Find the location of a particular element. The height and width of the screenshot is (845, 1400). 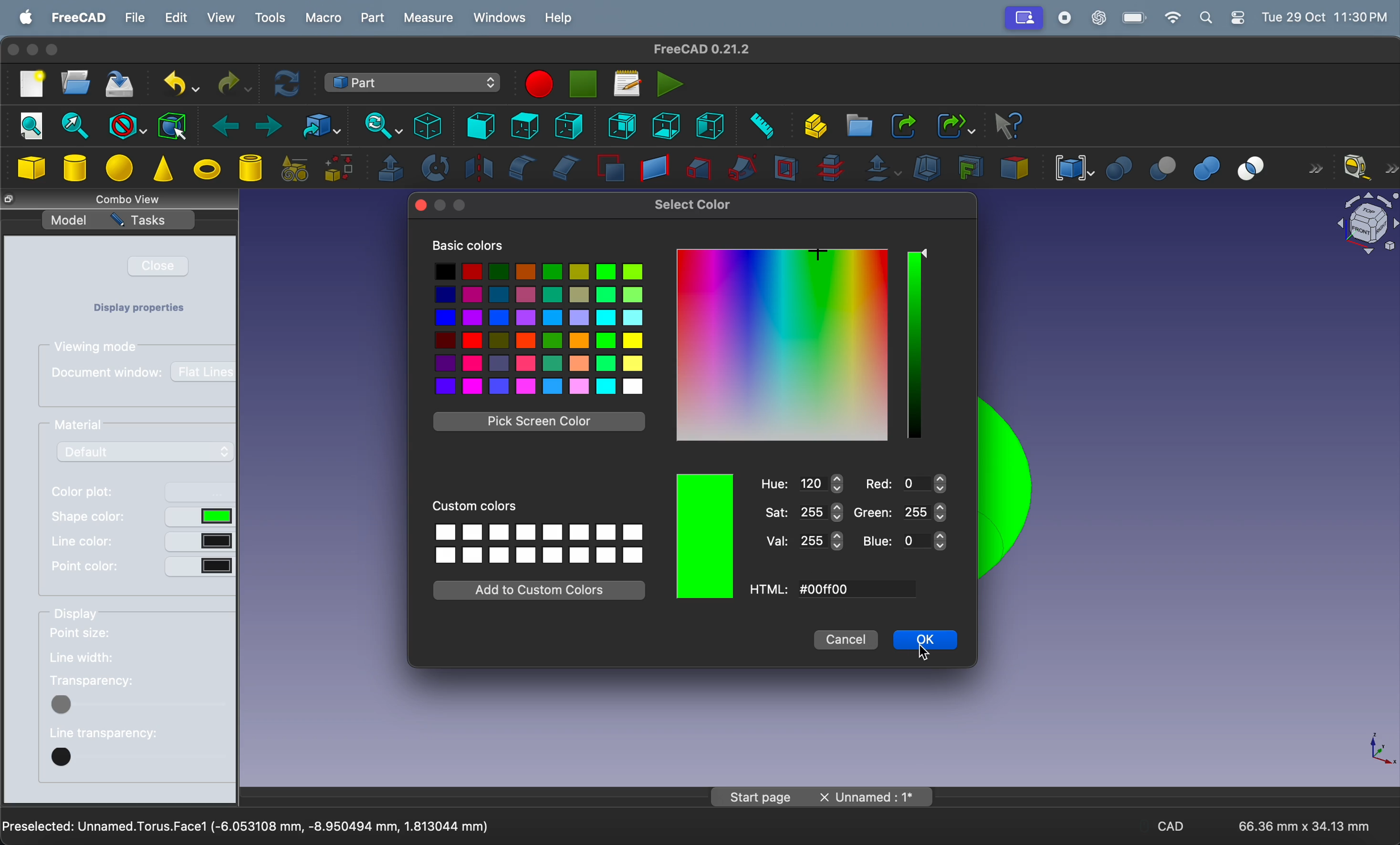

axis is located at coordinates (1380, 749).